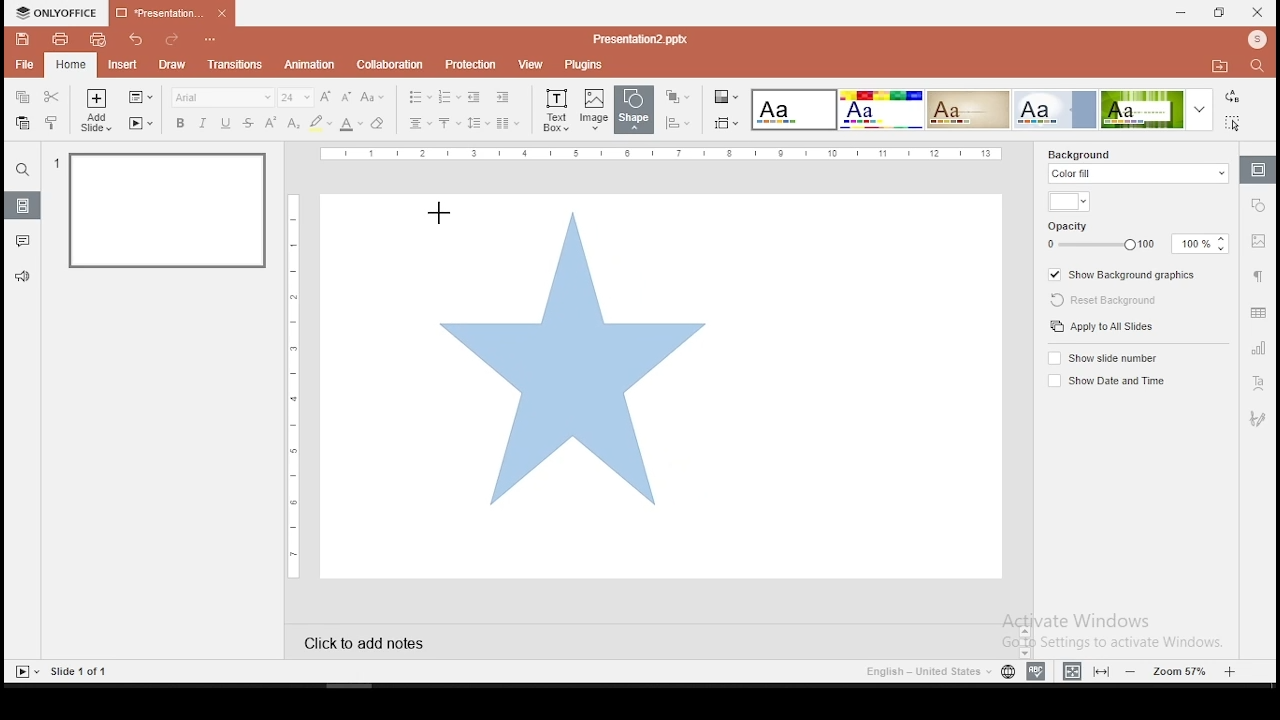  Describe the element at coordinates (138, 39) in the screenshot. I see `undo` at that location.